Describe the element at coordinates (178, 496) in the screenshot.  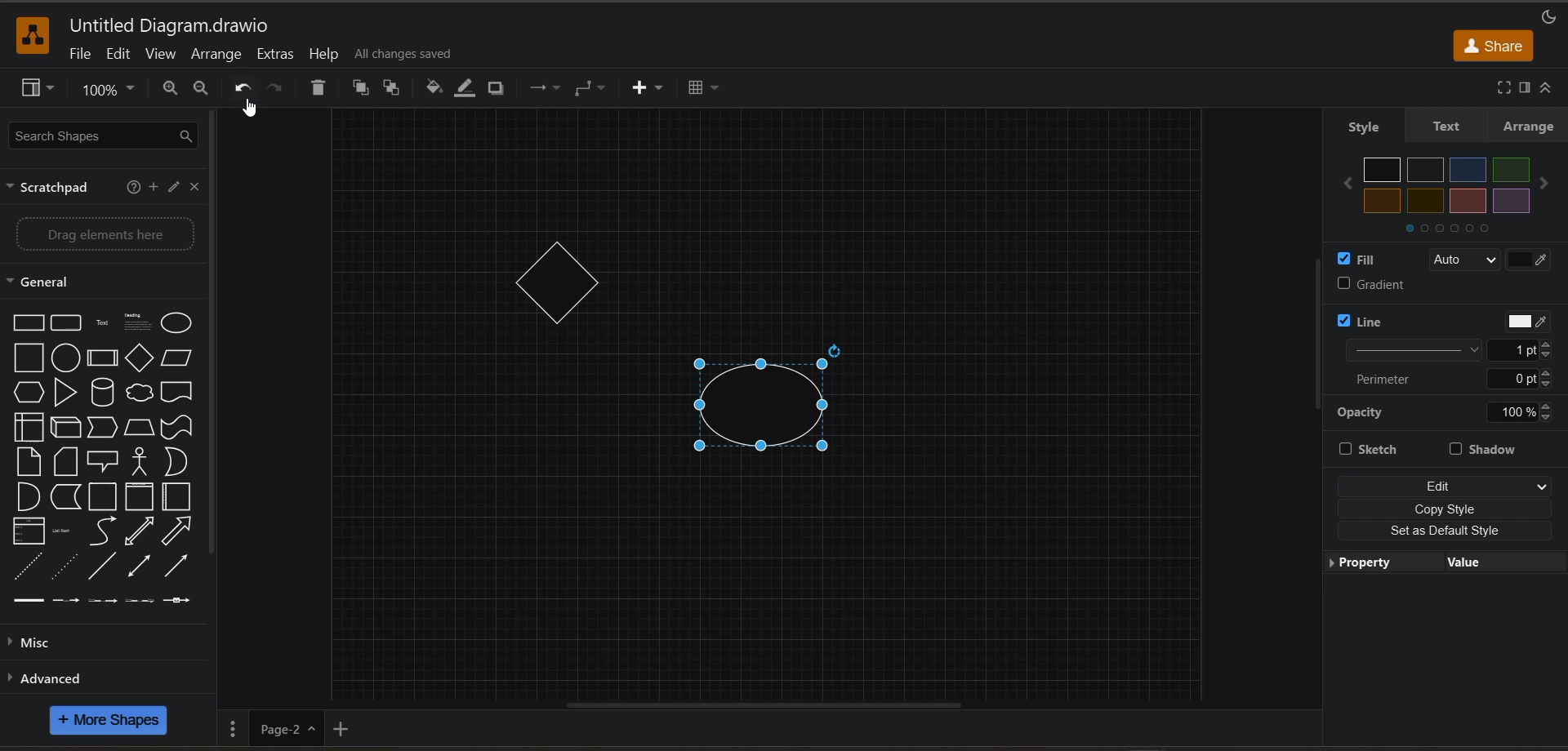
I see `Horizontal Container` at that location.